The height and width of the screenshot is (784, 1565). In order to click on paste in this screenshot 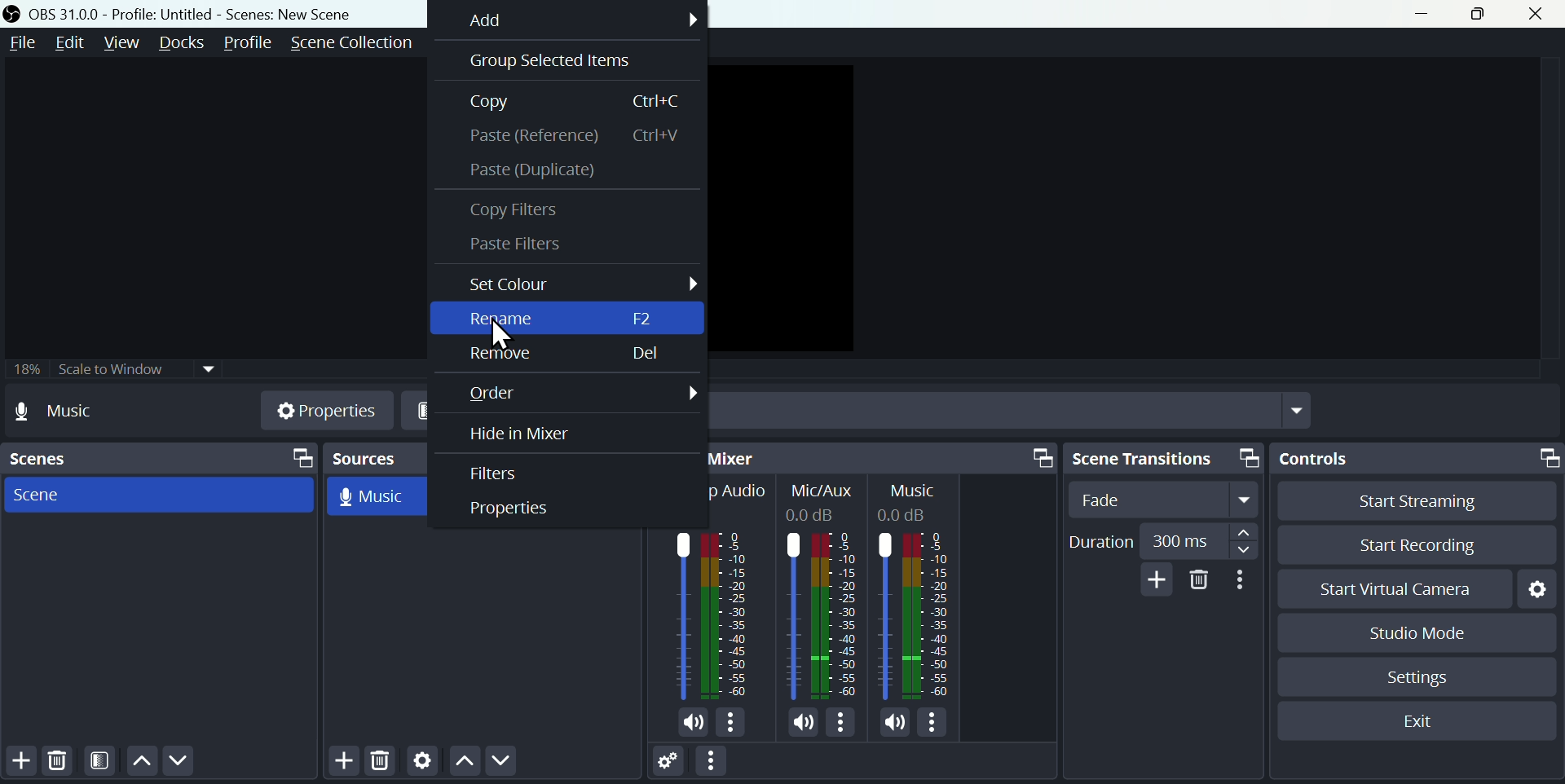, I will do `click(557, 137)`.